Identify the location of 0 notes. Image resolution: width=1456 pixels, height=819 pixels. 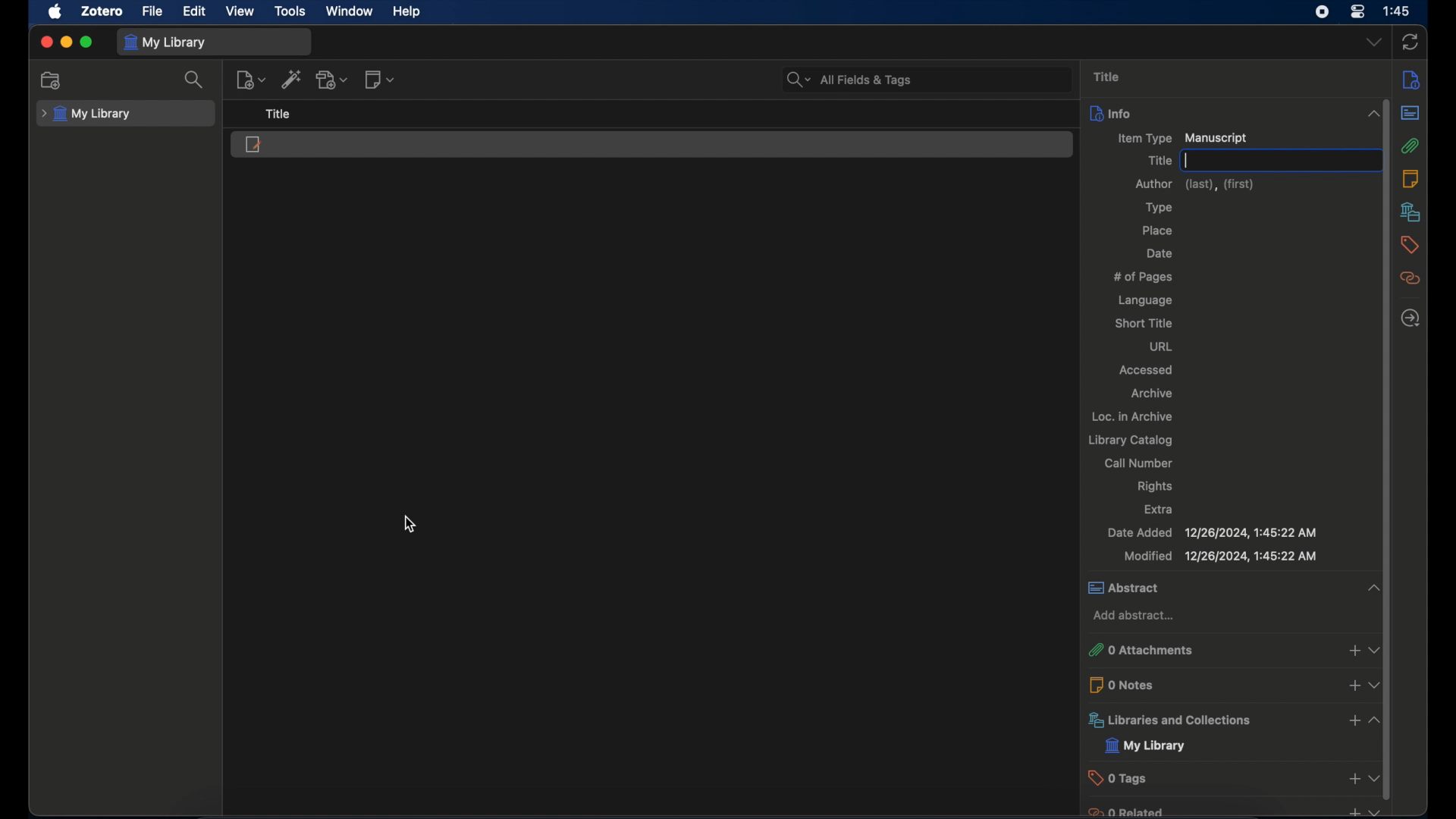
(1237, 683).